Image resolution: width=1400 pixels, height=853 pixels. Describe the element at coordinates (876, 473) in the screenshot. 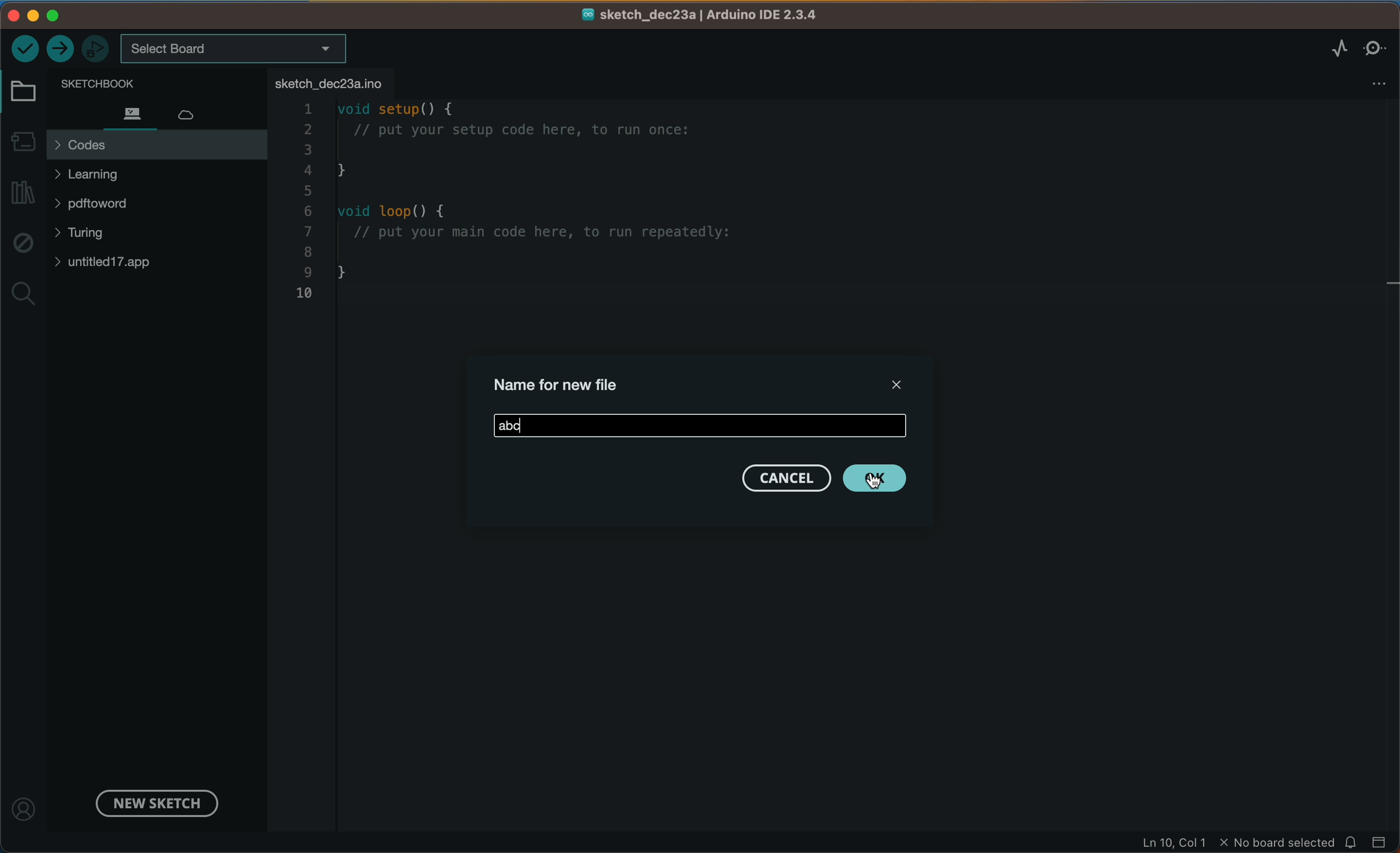

I see `cursor` at that location.